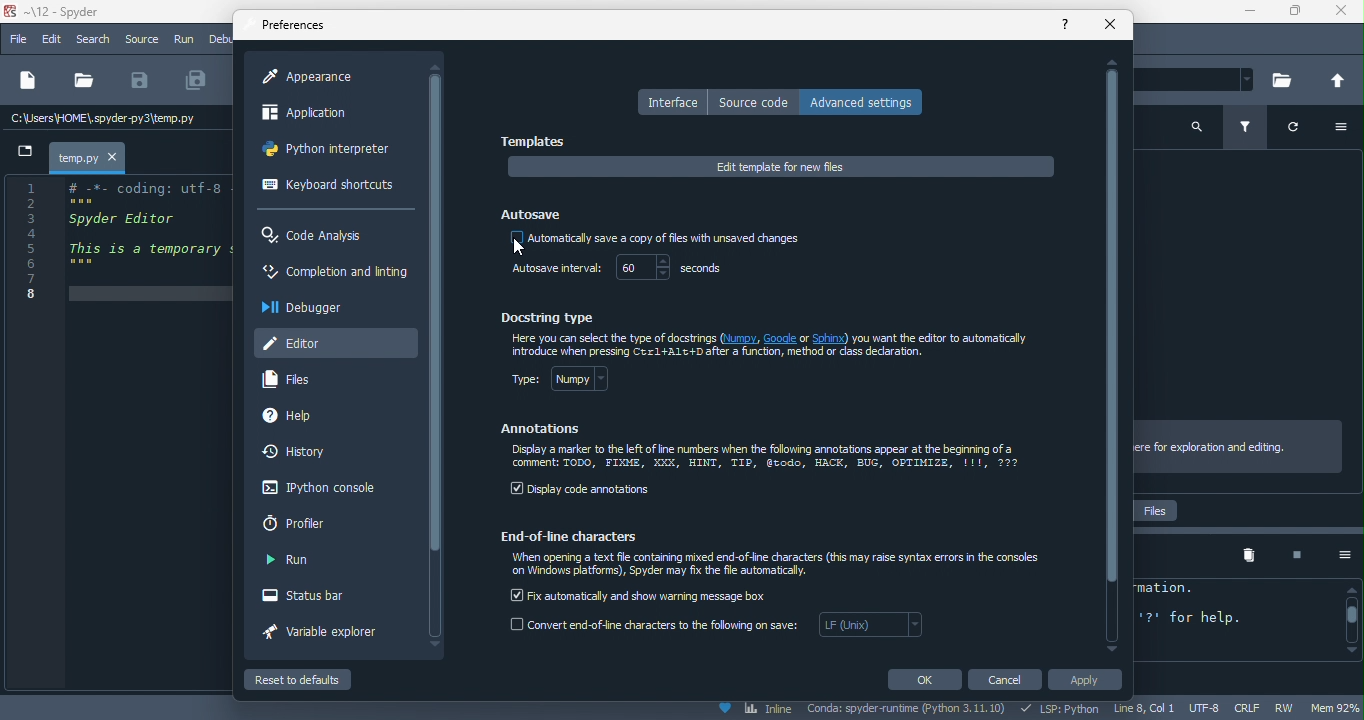  What do you see at coordinates (1249, 556) in the screenshot?
I see `remove all` at bounding box center [1249, 556].